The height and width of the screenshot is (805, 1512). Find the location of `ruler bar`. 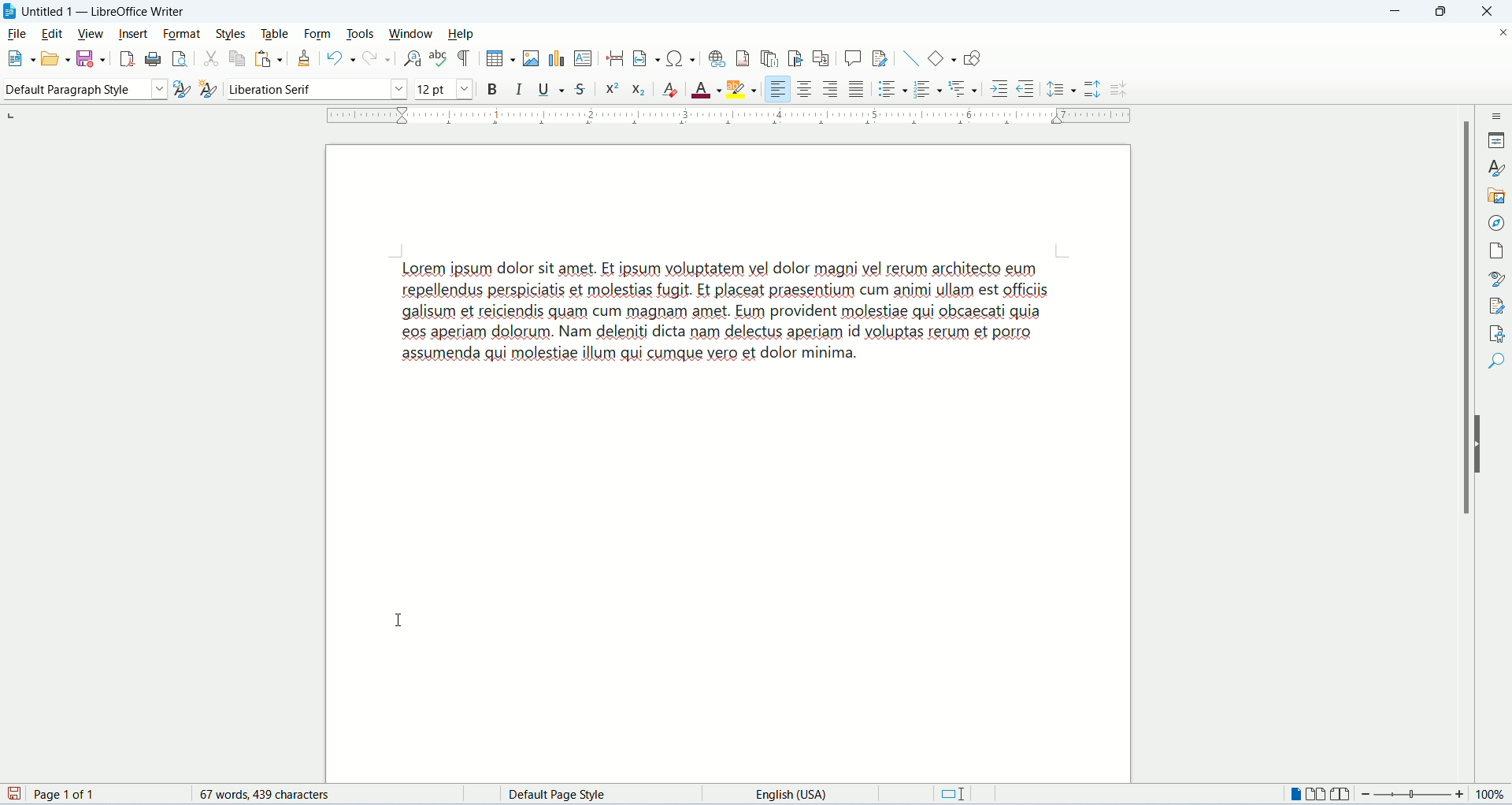

ruler bar is located at coordinates (731, 116).